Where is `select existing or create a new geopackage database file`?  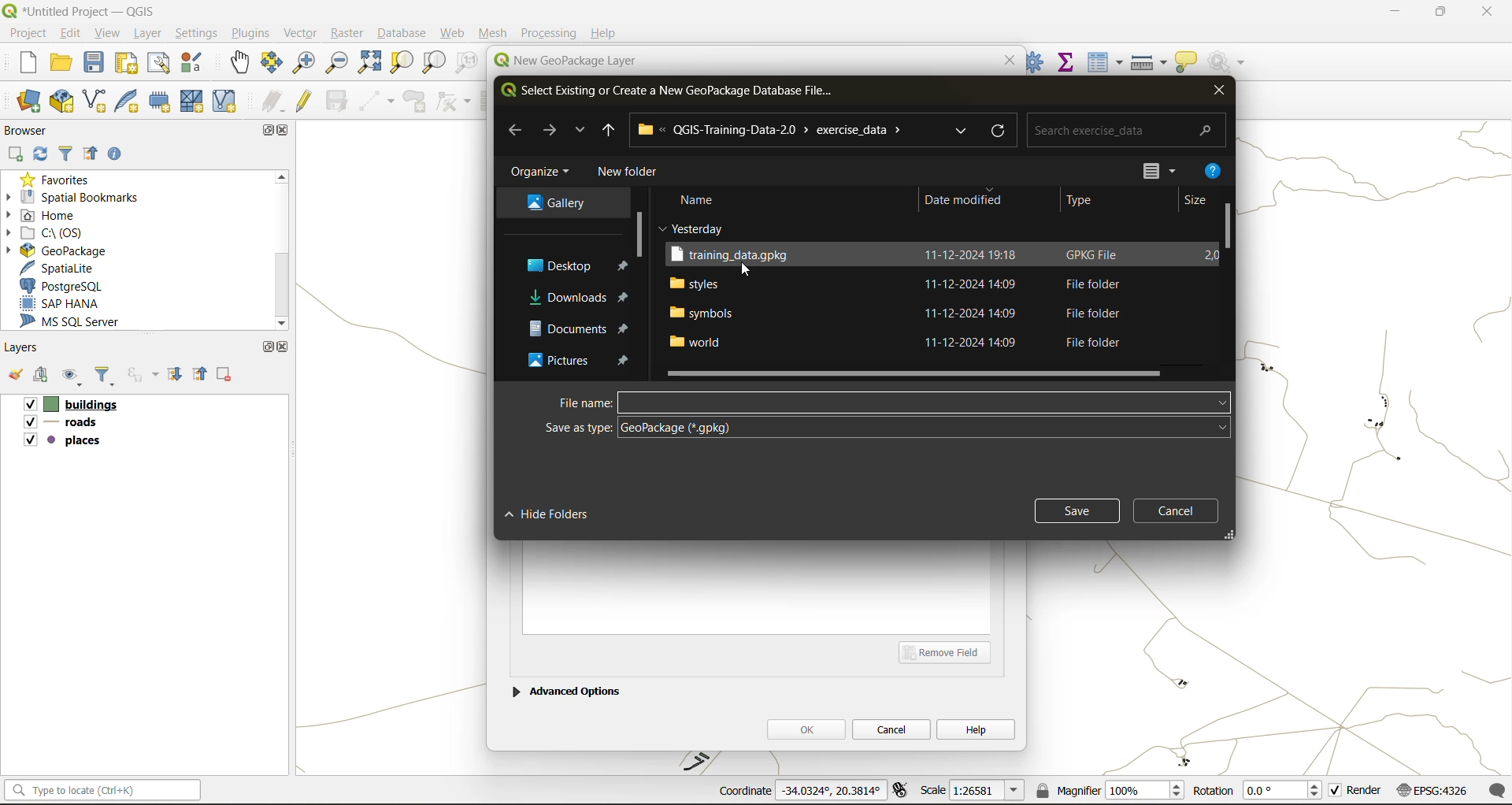 select existing or create a new geopackage database file is located at coordinates (670, 93).